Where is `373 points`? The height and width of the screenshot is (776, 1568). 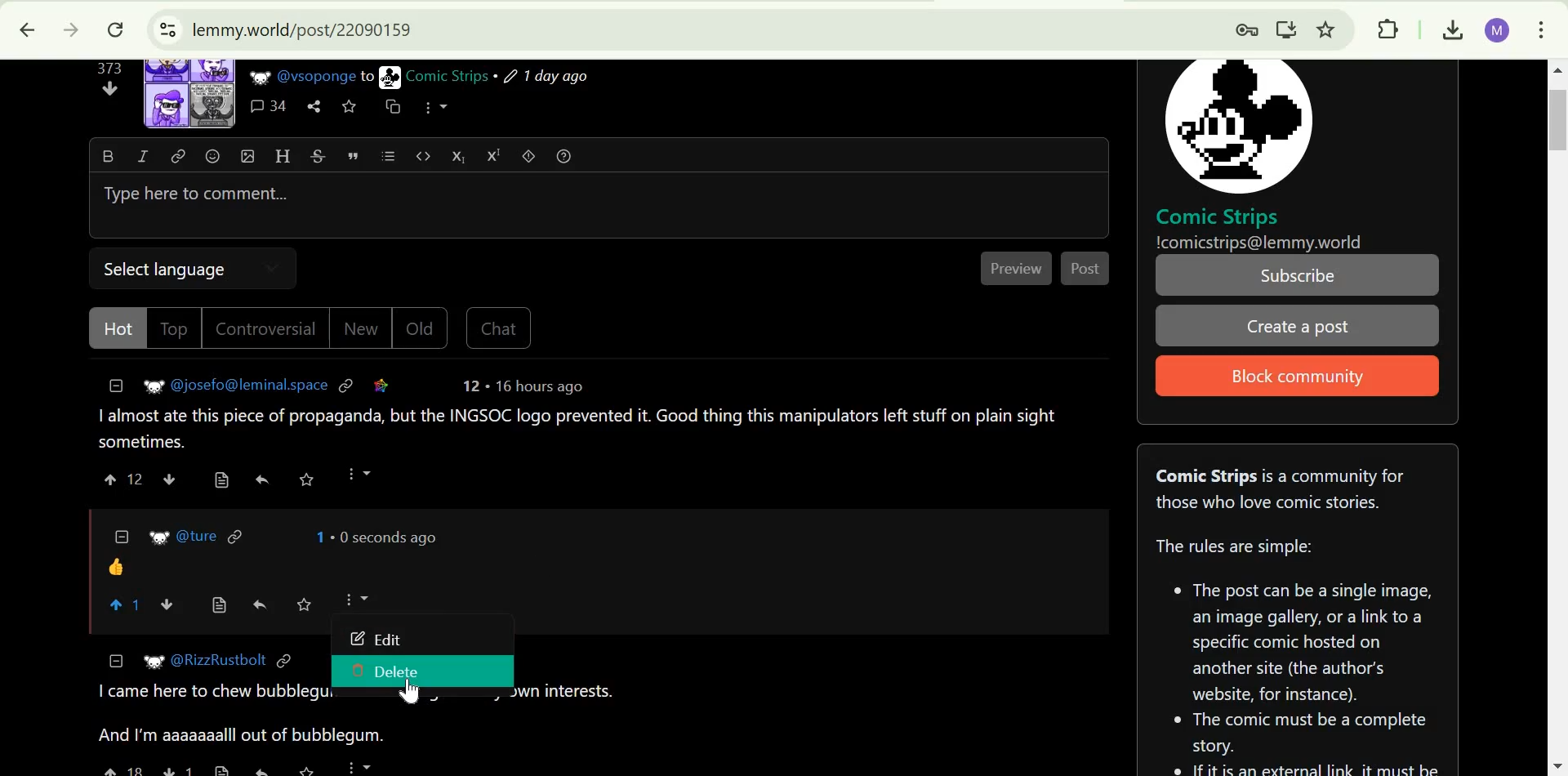
373 points is located at coordinates (109, 68).